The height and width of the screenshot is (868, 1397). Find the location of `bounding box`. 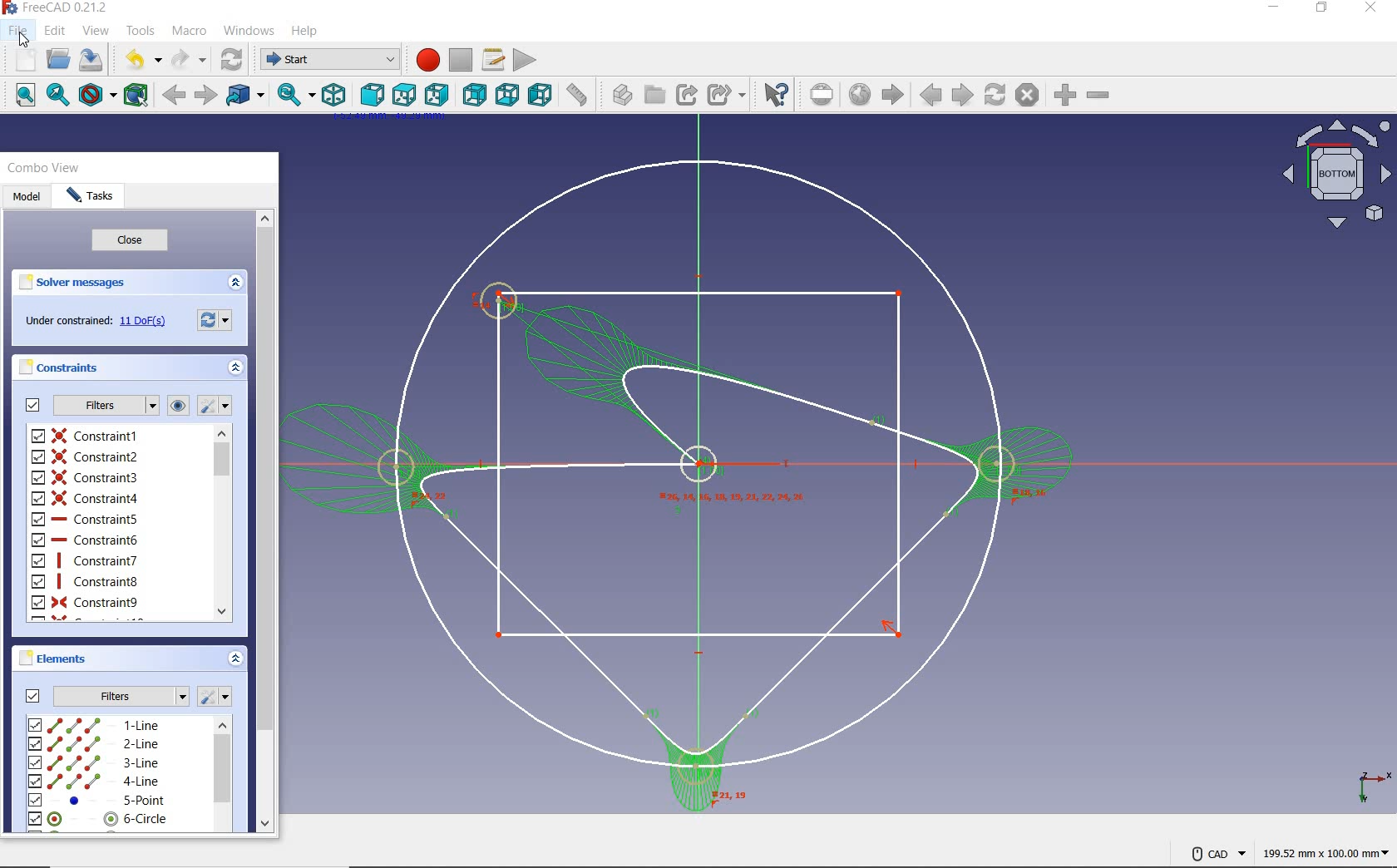

bounding box is located at coordinates (137, 96).